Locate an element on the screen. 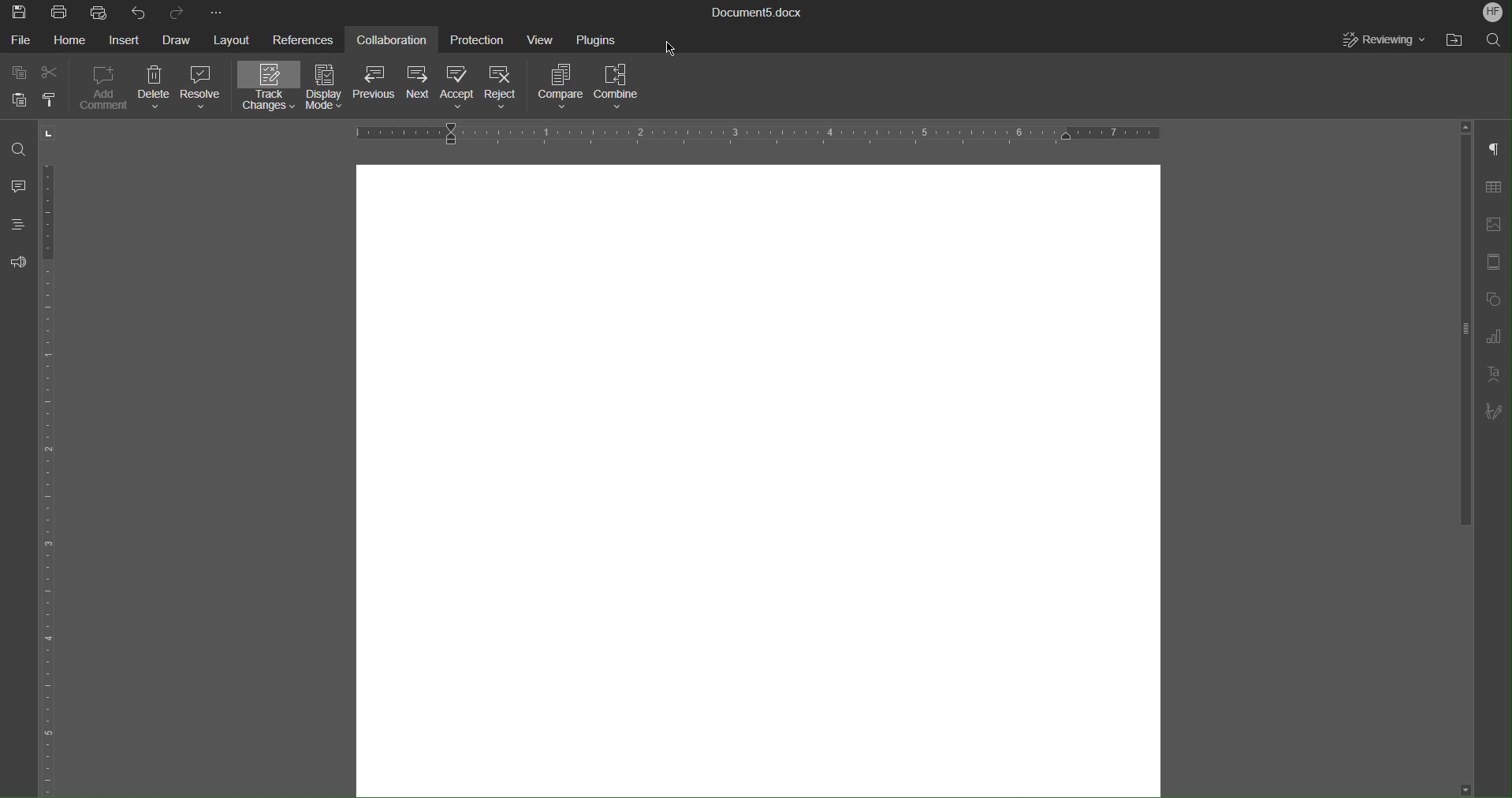 Image resolution: width=1512 pixels, height=798 pixels. Header/Footer is located at coordinates (1492, 267).